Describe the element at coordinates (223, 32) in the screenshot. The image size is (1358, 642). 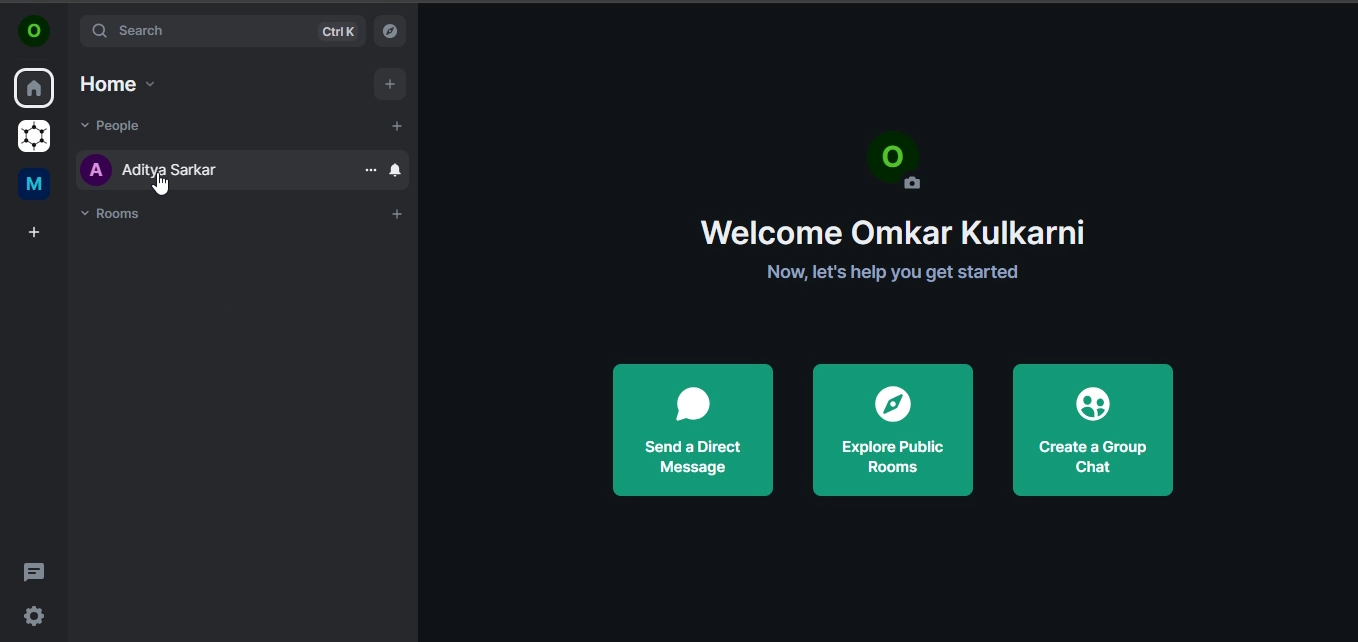
I see `search` at that location.